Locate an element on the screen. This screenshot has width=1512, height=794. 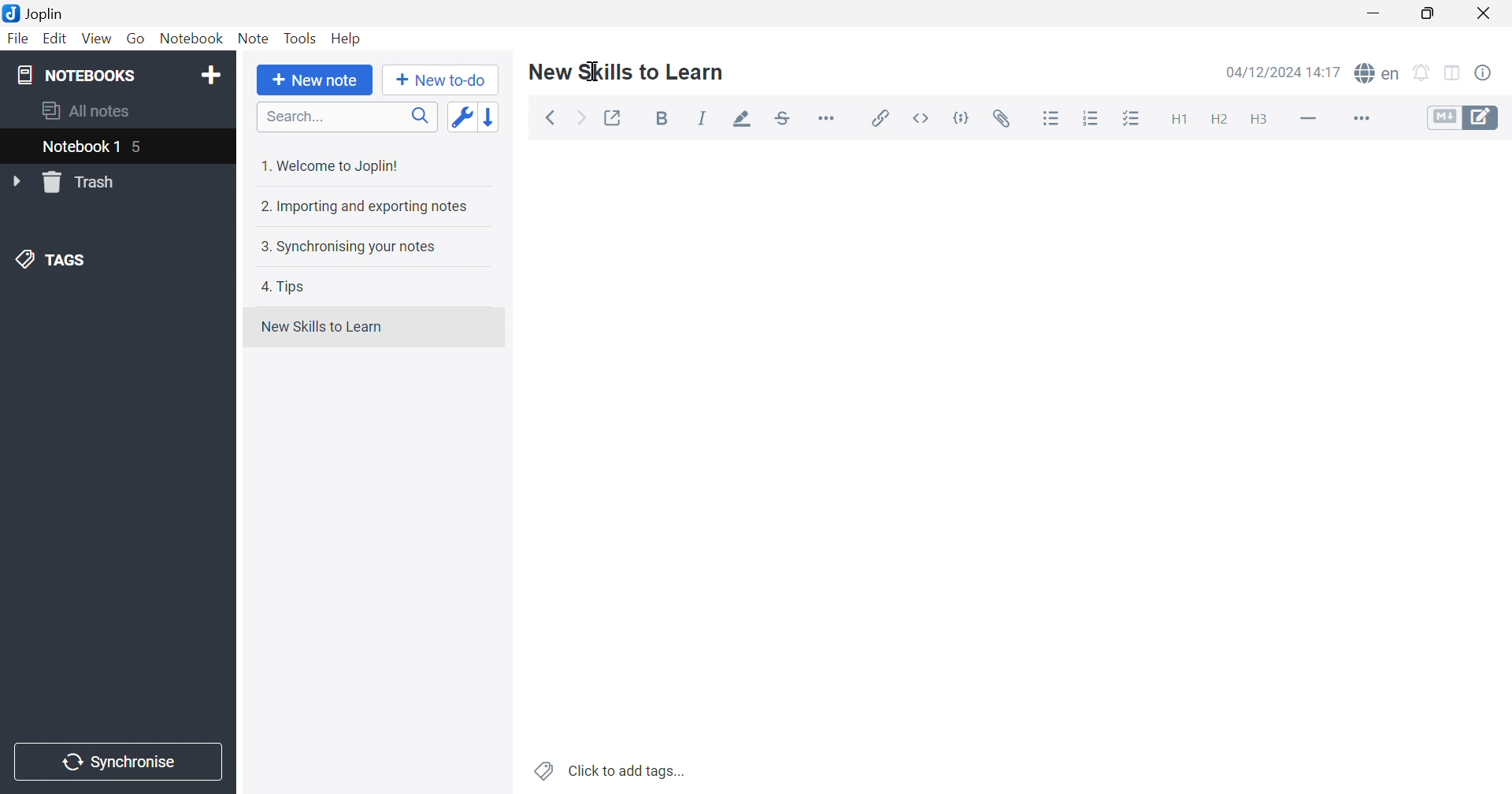
Highlight is located at coordinates (738, 121).